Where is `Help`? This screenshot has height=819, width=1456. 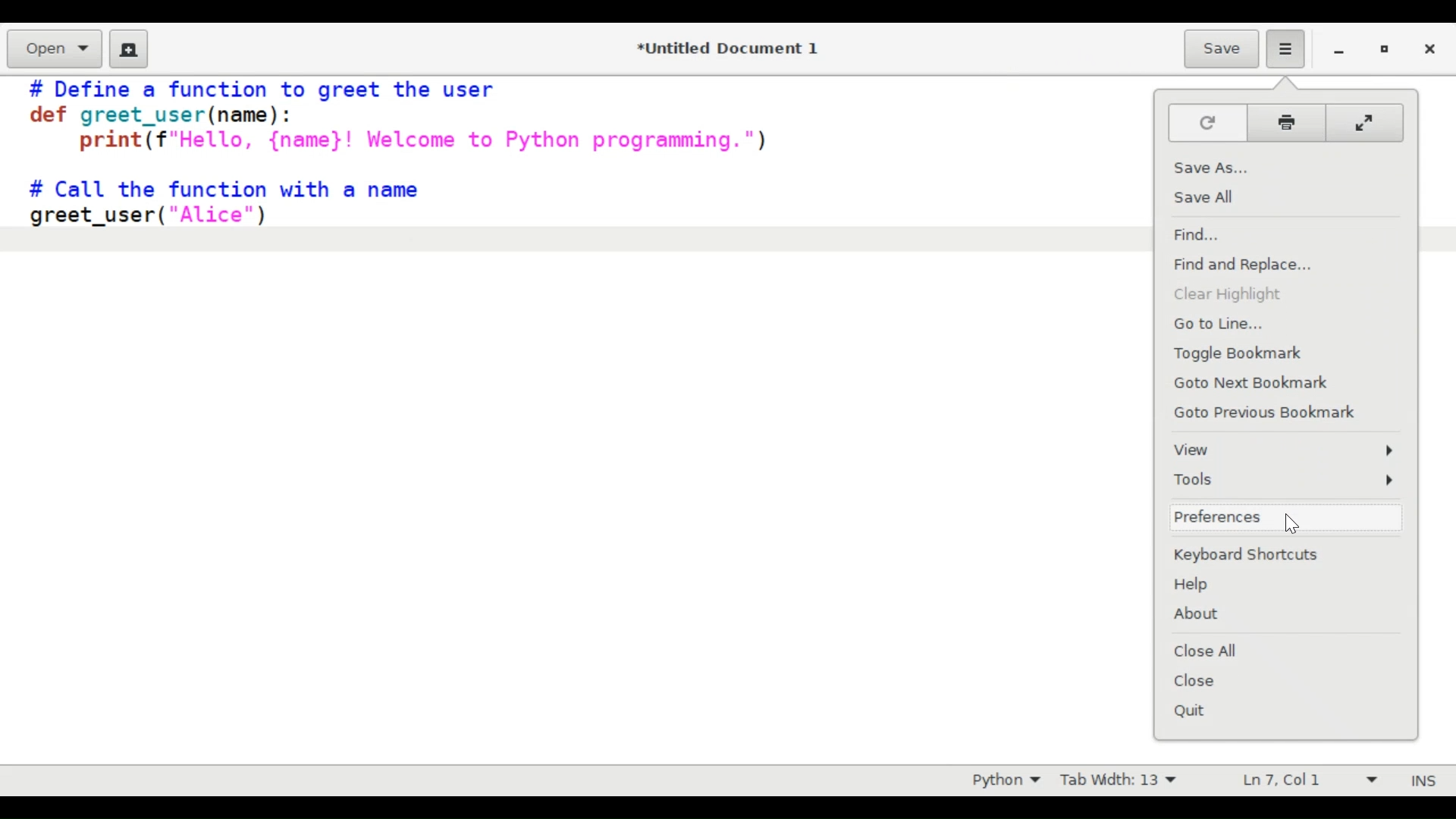
Help is located at coordinates (1275, 585).